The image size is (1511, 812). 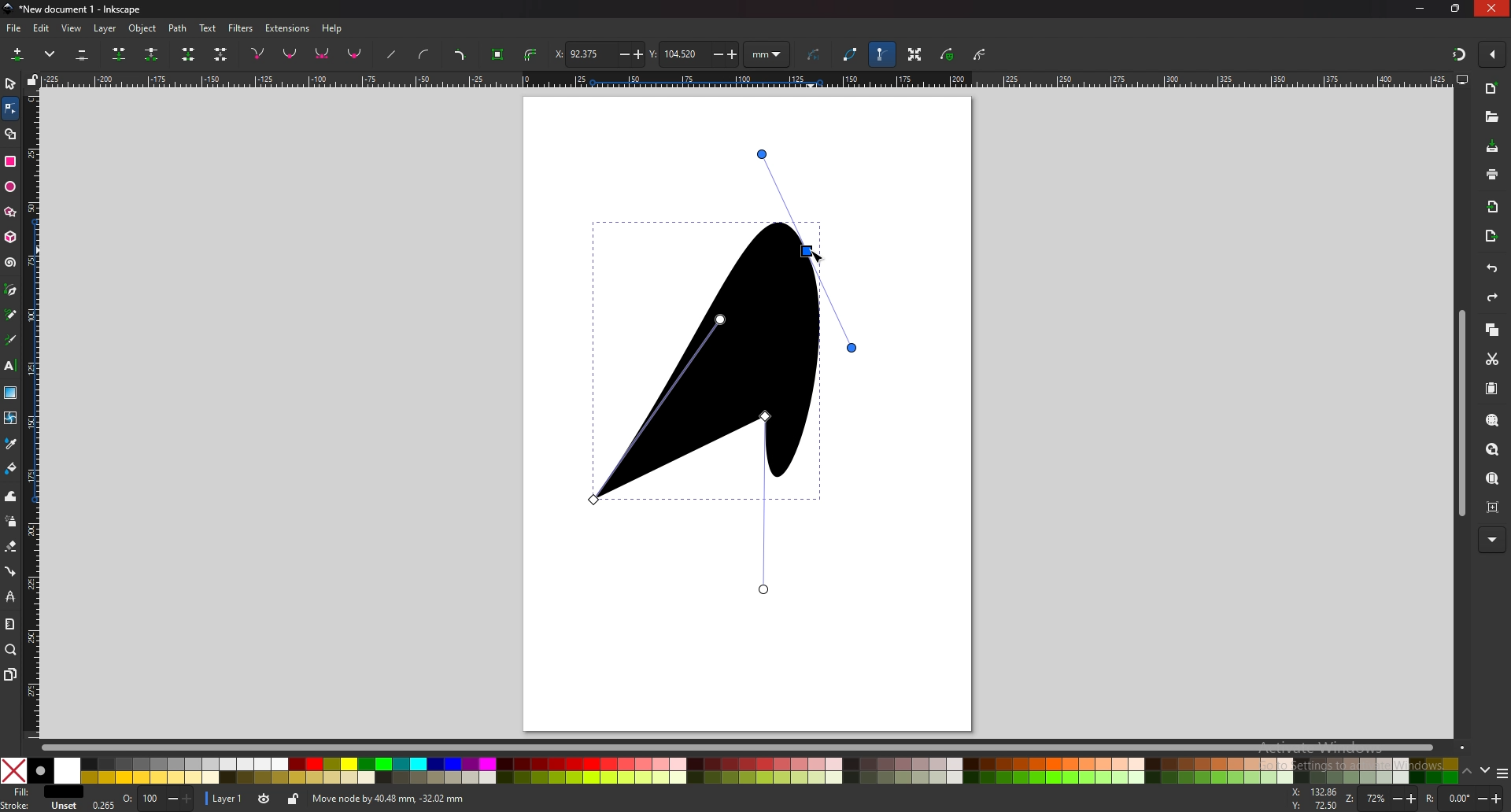 What do you see at coordinates (1491, 479) in the screenshot?
I see `zoom page` at bounding box center [1491, 479].